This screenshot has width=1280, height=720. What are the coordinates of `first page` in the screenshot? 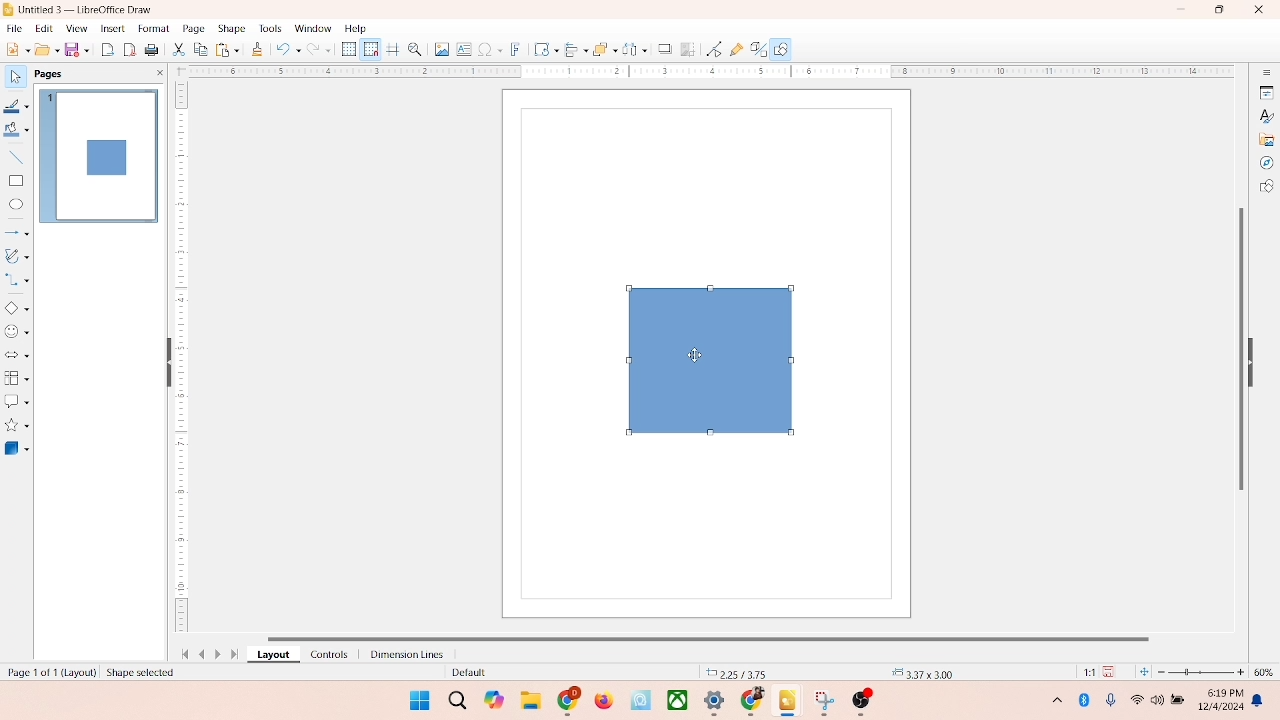 It's located at (181, 652).